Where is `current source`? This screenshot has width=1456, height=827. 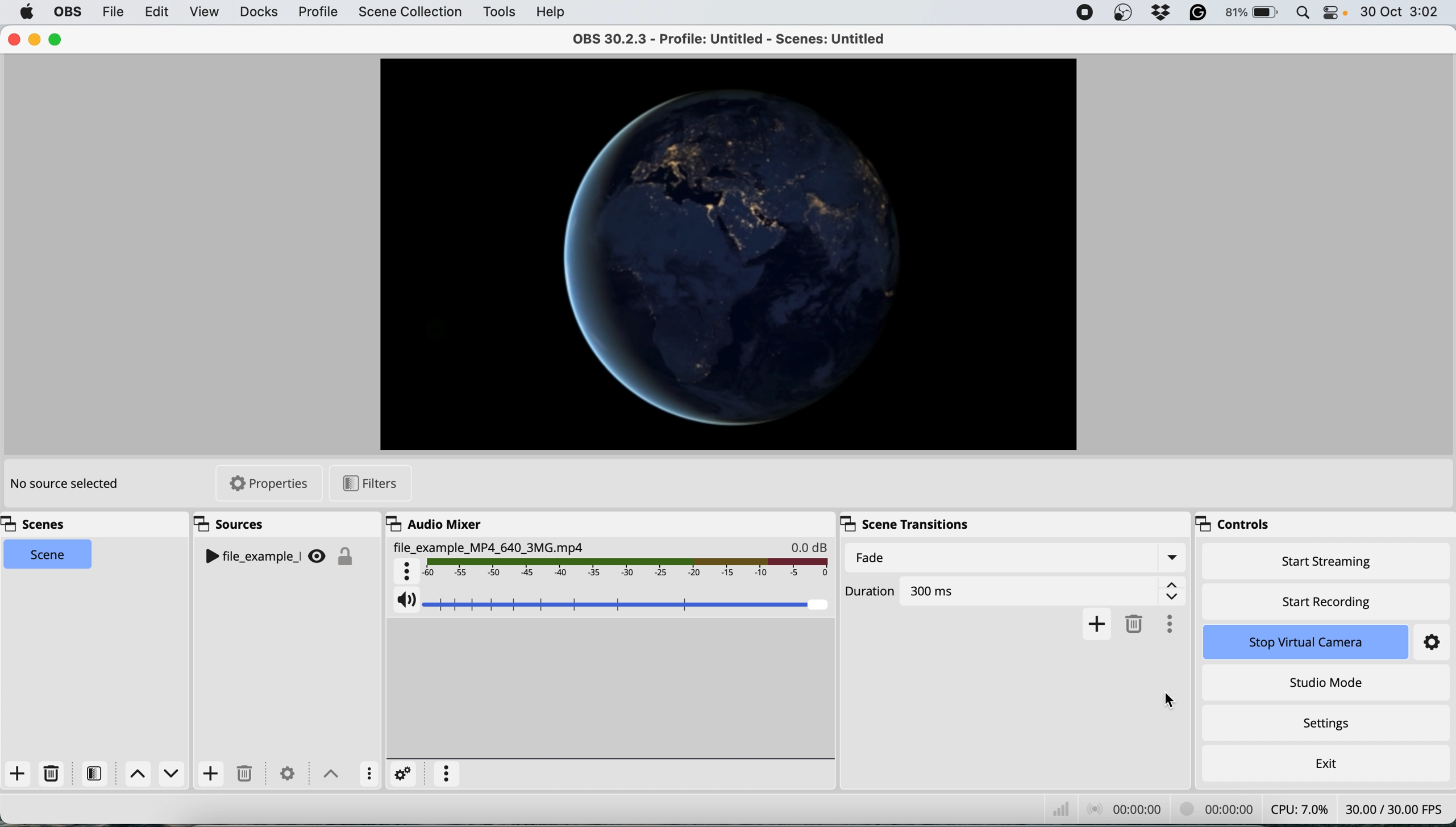 current source is located at coordinates (725, 255).